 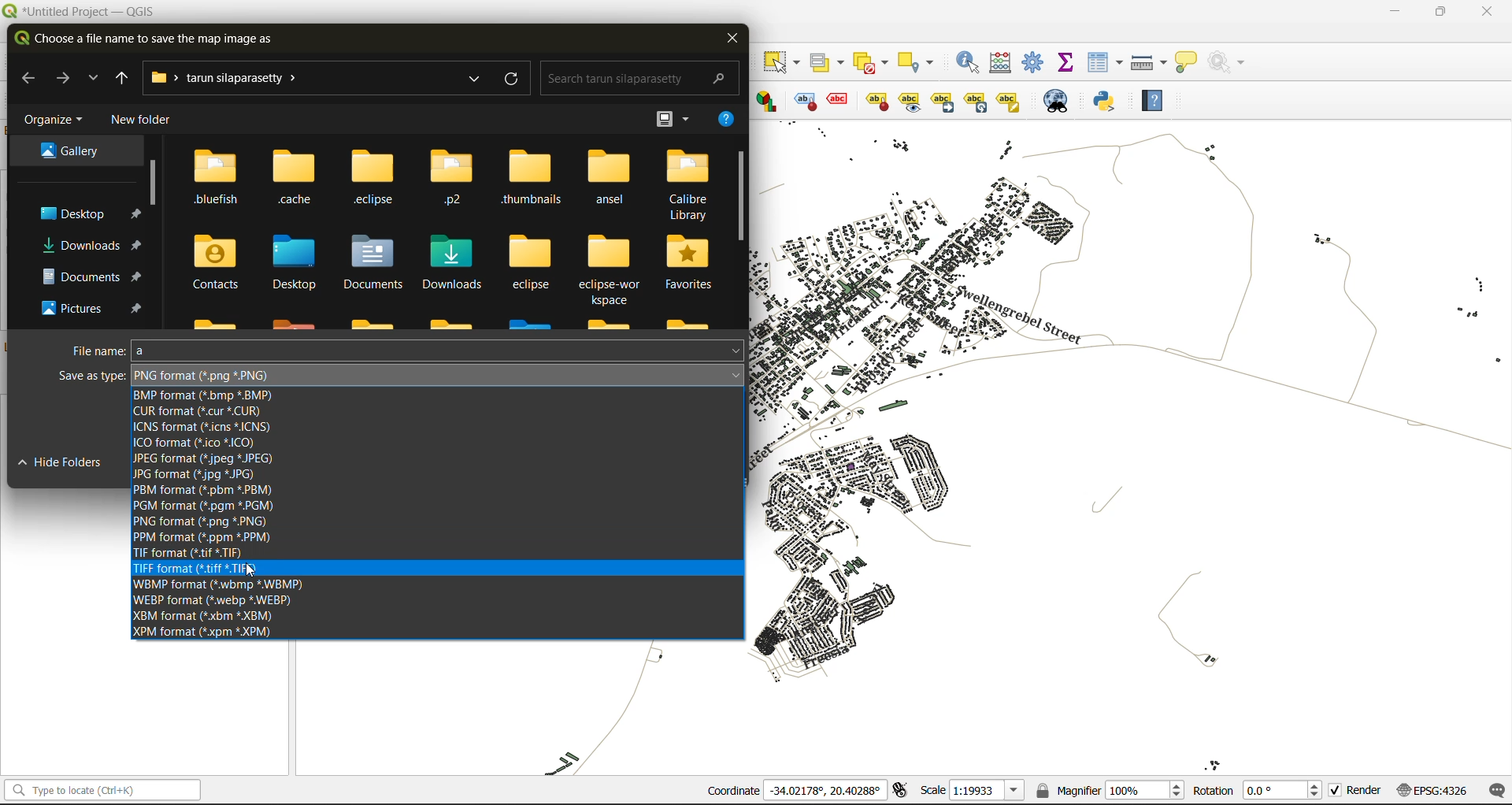 I want to click on png, so click(x=208, y=521).